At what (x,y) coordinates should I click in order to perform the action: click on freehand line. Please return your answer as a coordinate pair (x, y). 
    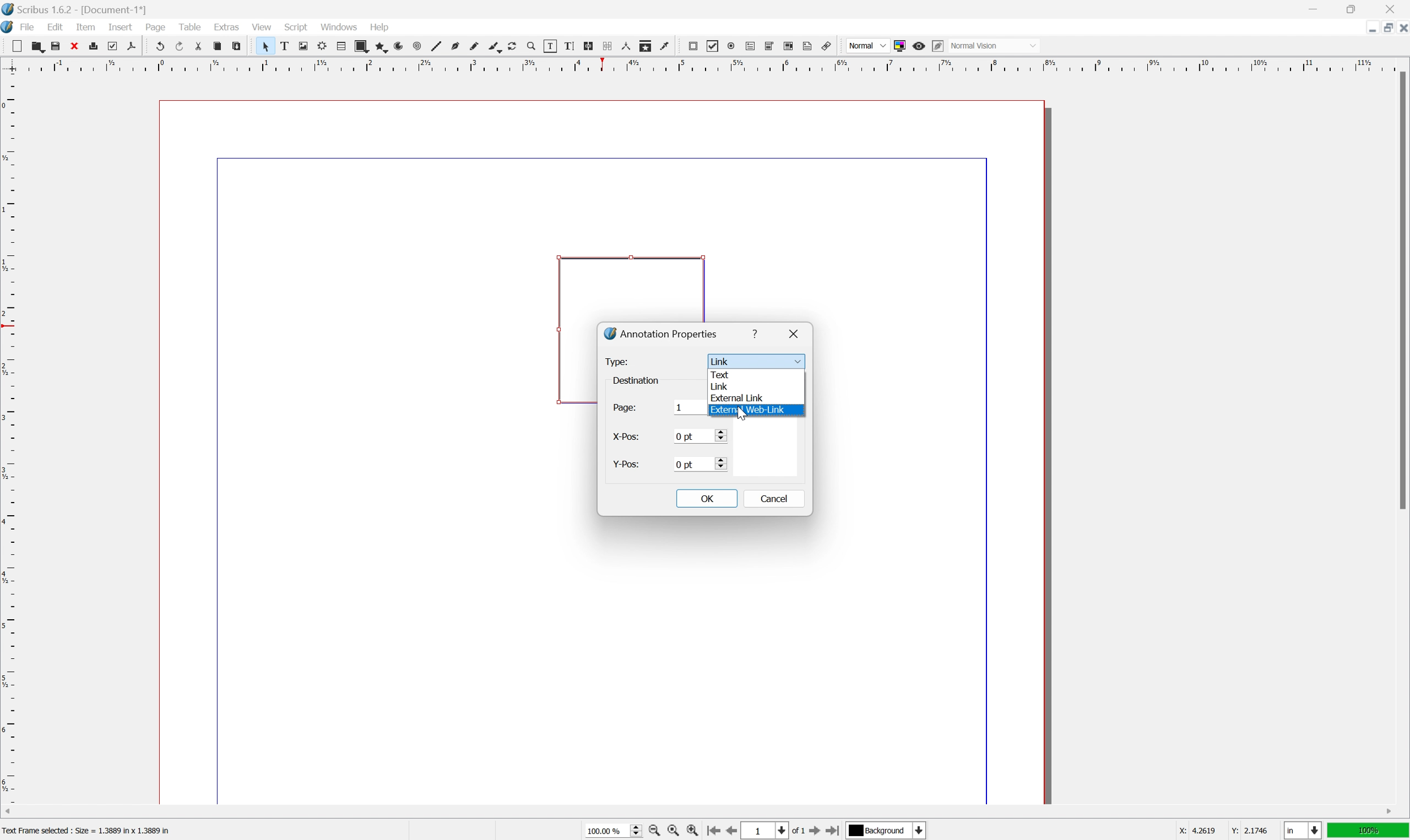
    Looking at the image, I should click on (474, 47).